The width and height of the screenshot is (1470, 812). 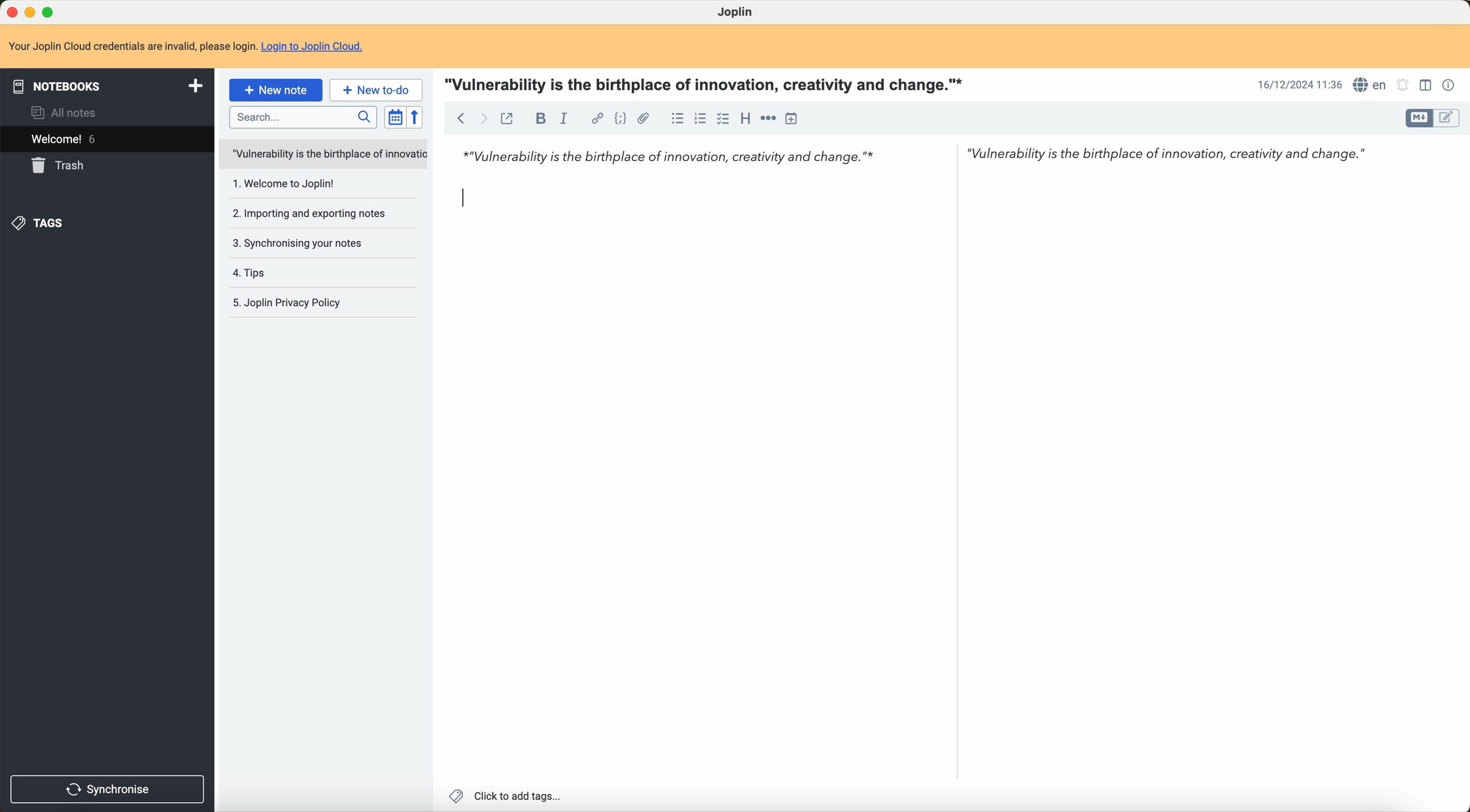 I want to click on 1.welcome to Joplin, so click(x=288, y=185).